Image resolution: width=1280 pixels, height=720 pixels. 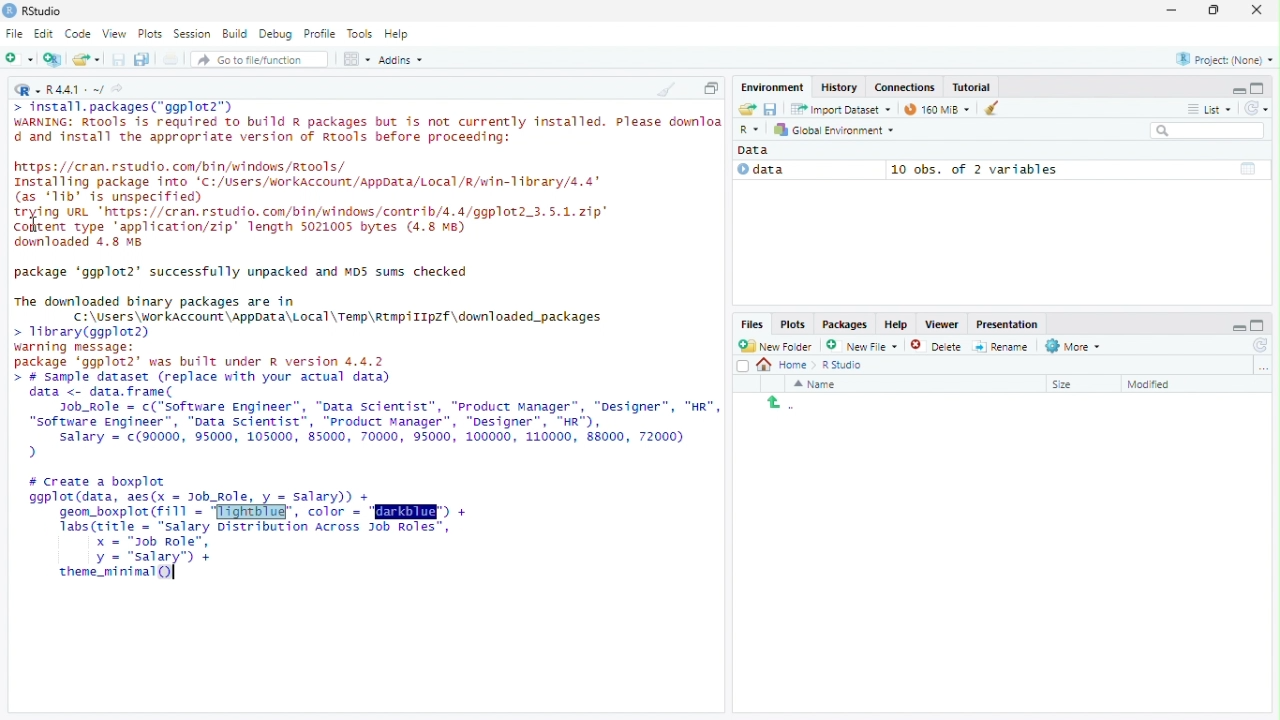 What do you see at coordinates (171, 59) in the screenshot?
I see `print the current file` at bounding box center [171, 59].